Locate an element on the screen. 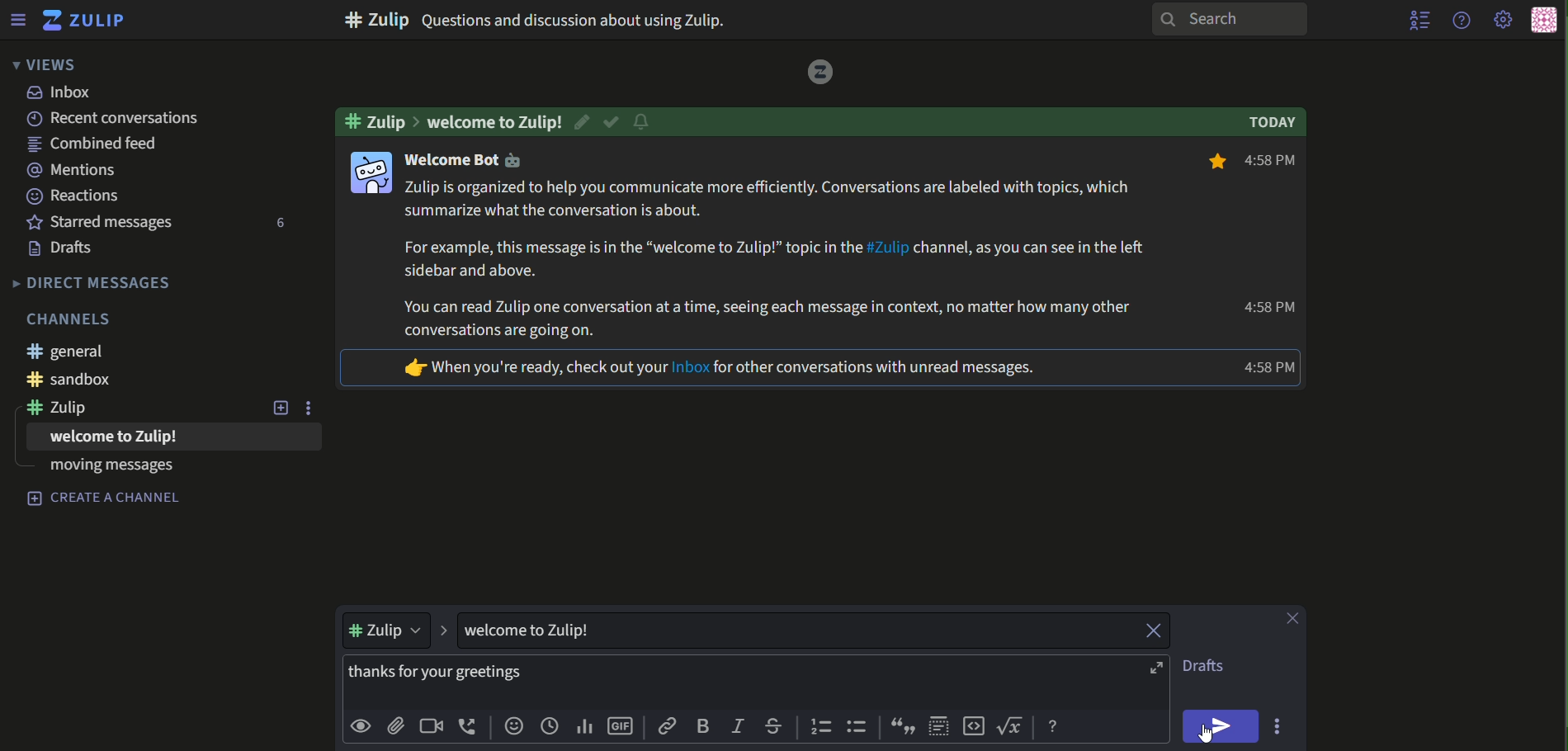 This screenshot has width=1568, height=751. text is located at coordinates (75, 318).